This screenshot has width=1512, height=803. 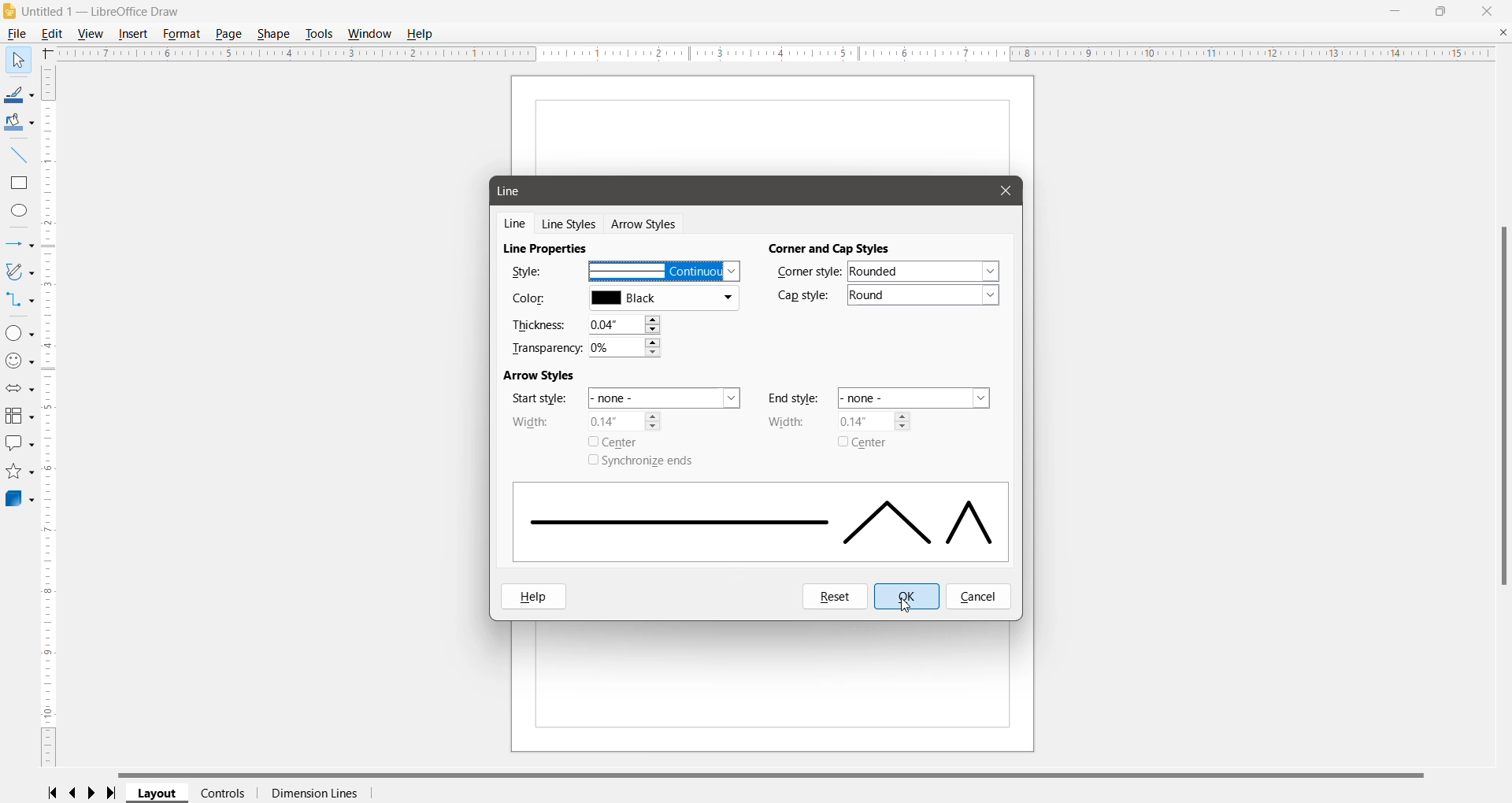 I want to click on Arrow Styles, so click(x=541, y=374).